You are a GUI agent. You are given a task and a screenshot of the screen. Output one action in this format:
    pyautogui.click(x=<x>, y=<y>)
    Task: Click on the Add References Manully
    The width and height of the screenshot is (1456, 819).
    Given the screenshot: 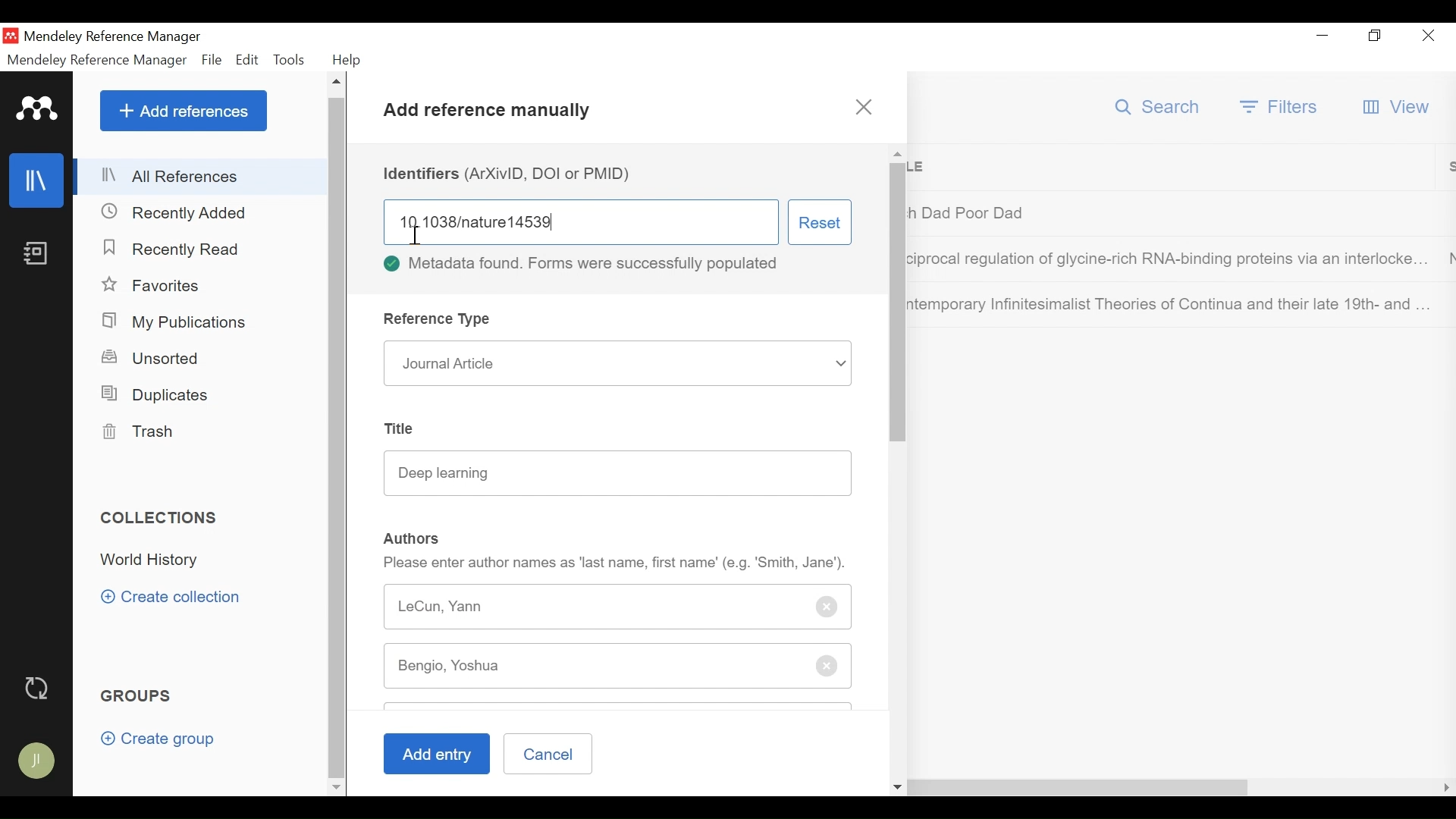 What is the action you would take?
    pyautogui.click(x=488, y=114)
    